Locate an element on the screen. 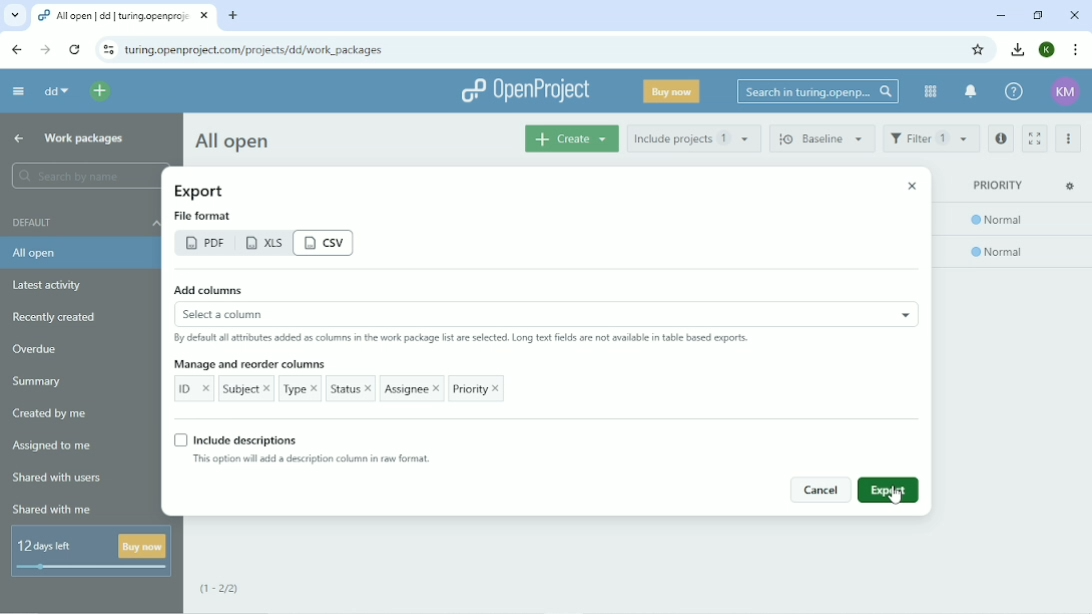  Status is located at coordinates (350, 389).